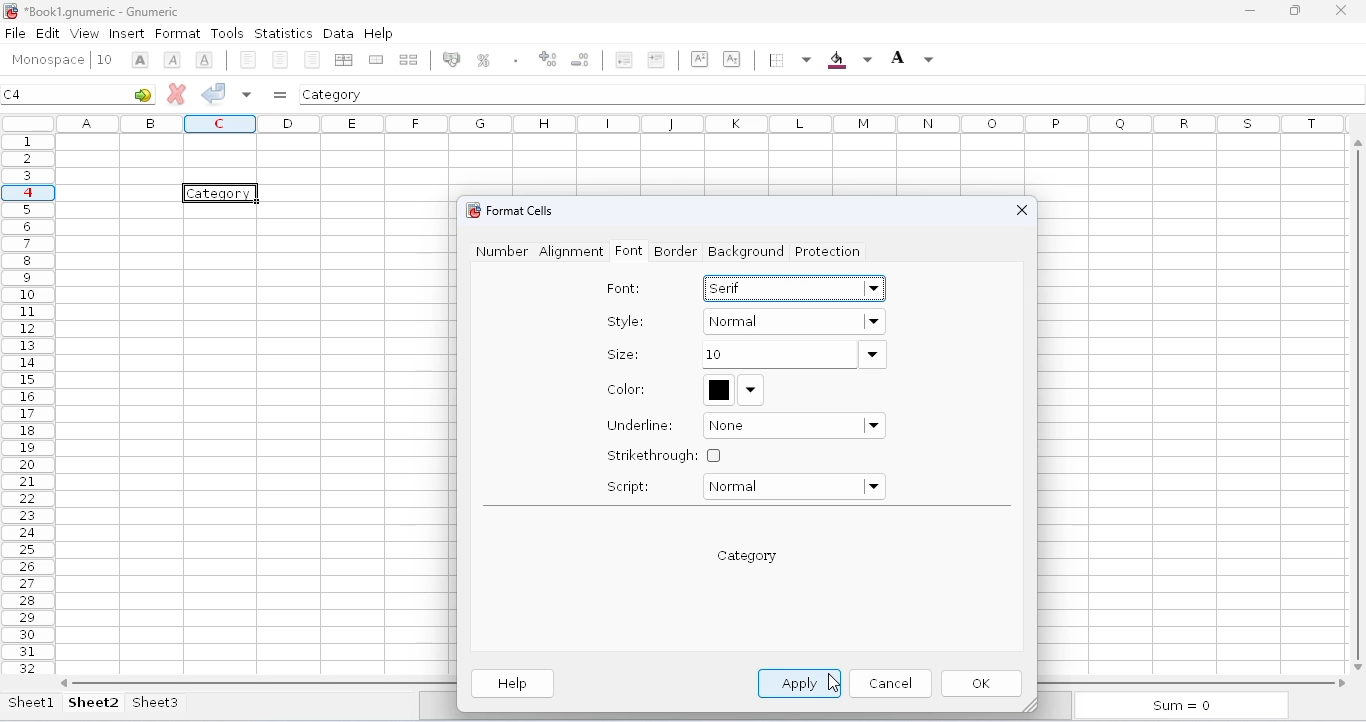  What do you see at coordinates (498, 252) in the screenshot?
I see `Number` at bounding box center [498, 252].